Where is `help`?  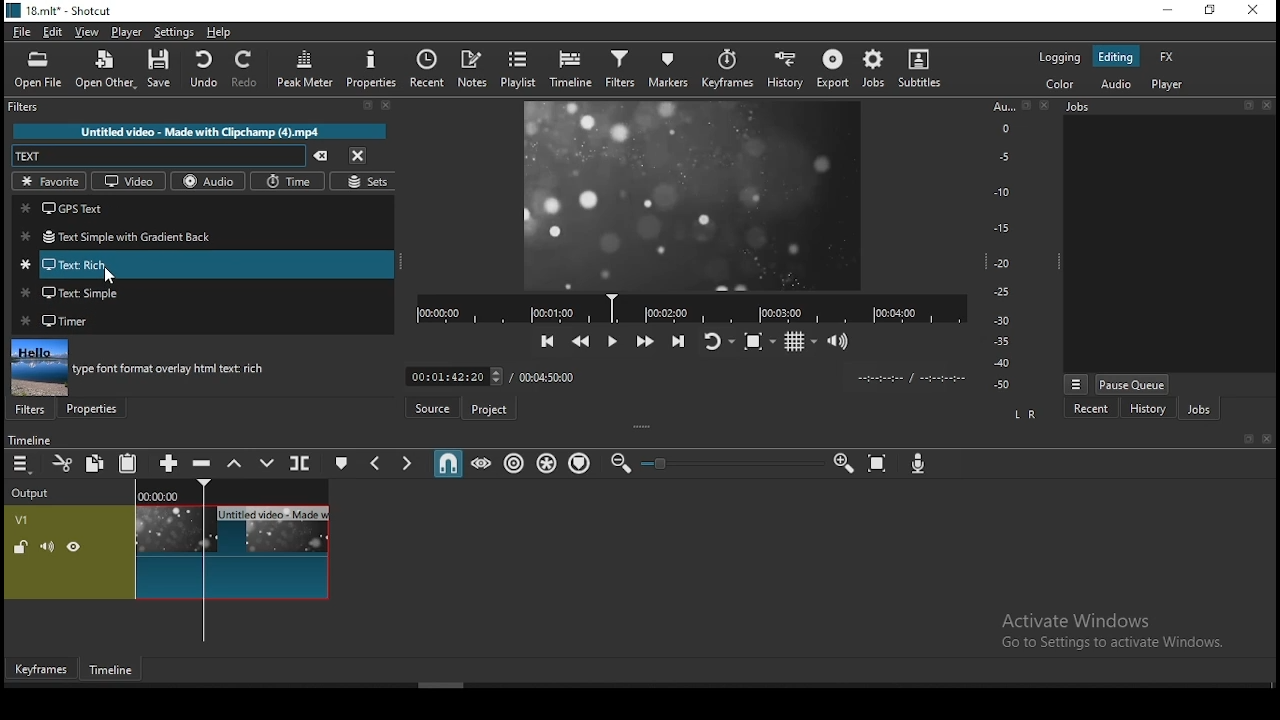 help is located at coordinates (219, 33).